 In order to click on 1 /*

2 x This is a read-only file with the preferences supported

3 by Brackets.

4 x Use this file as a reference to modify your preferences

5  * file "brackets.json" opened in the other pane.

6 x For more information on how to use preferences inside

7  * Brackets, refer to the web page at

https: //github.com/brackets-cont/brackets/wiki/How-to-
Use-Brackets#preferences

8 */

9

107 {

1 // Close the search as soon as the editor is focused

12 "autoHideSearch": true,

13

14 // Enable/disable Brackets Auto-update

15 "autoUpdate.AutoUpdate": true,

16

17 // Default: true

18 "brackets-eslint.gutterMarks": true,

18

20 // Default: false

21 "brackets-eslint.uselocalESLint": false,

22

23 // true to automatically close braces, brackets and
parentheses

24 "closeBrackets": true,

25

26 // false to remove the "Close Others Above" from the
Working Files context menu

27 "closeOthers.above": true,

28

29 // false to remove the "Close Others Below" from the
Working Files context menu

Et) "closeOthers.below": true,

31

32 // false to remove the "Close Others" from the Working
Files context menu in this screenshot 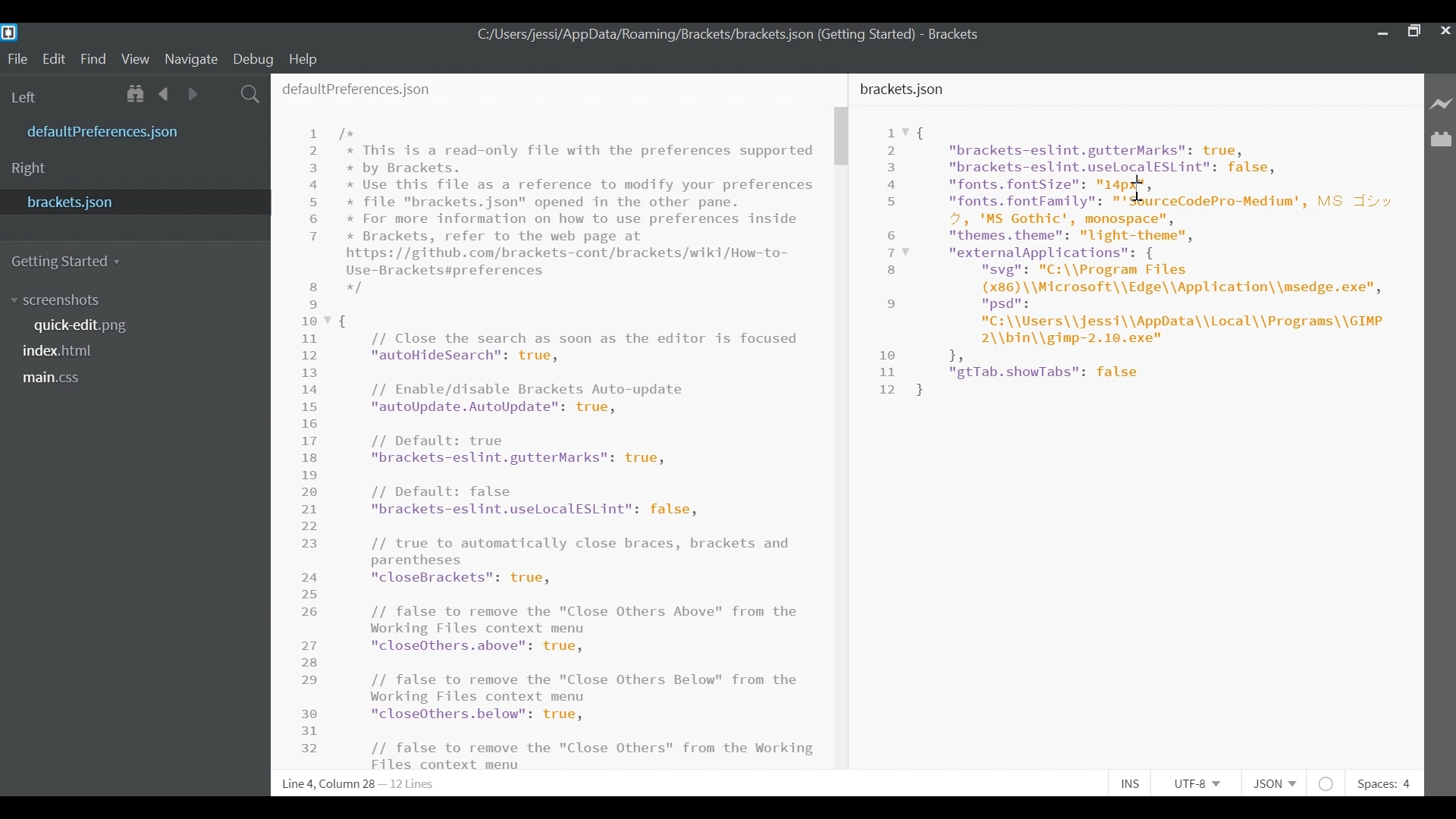, I will do `click(560, 446)`.